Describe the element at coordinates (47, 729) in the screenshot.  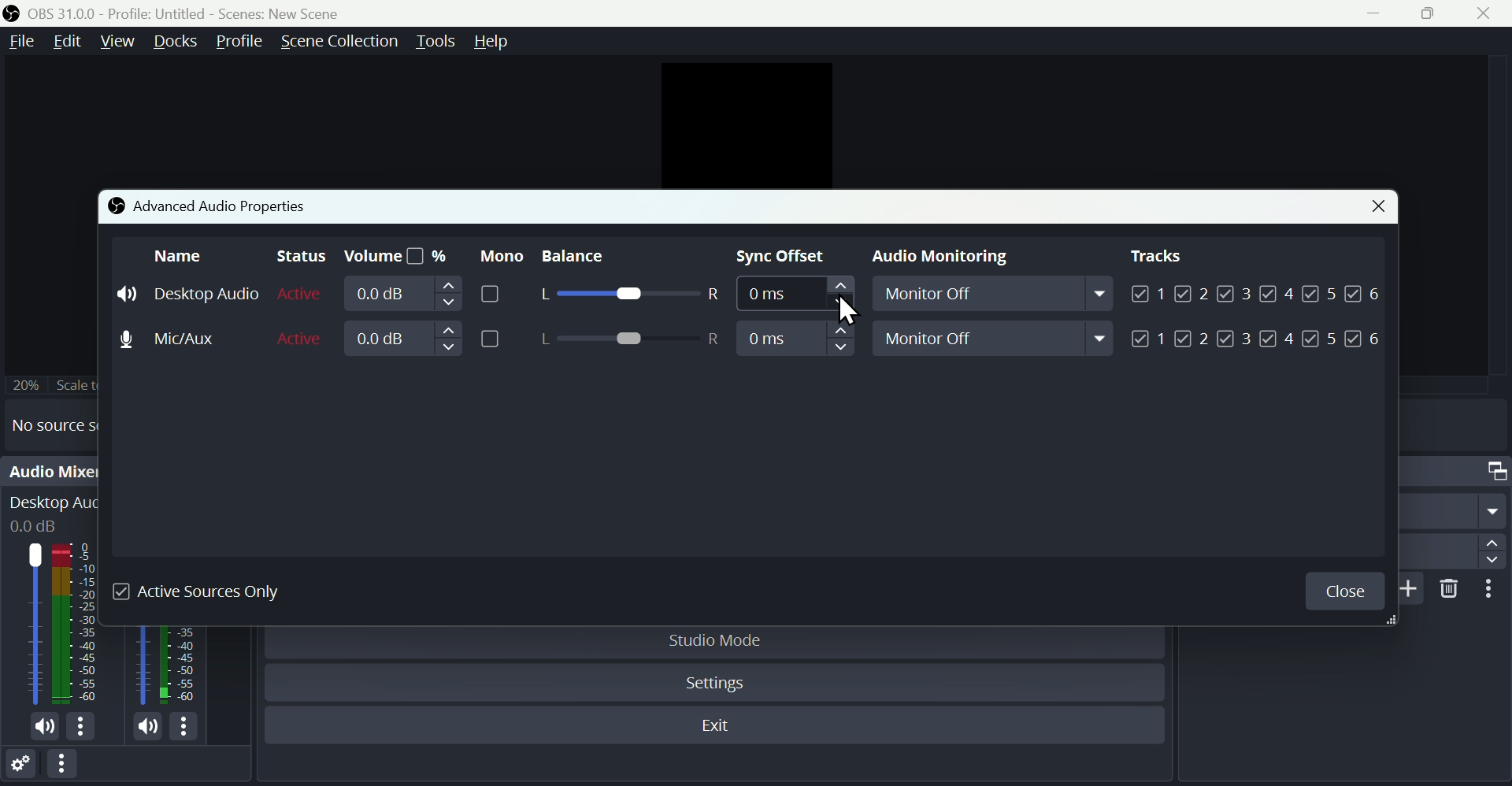
I see `(un)mute` at that location.